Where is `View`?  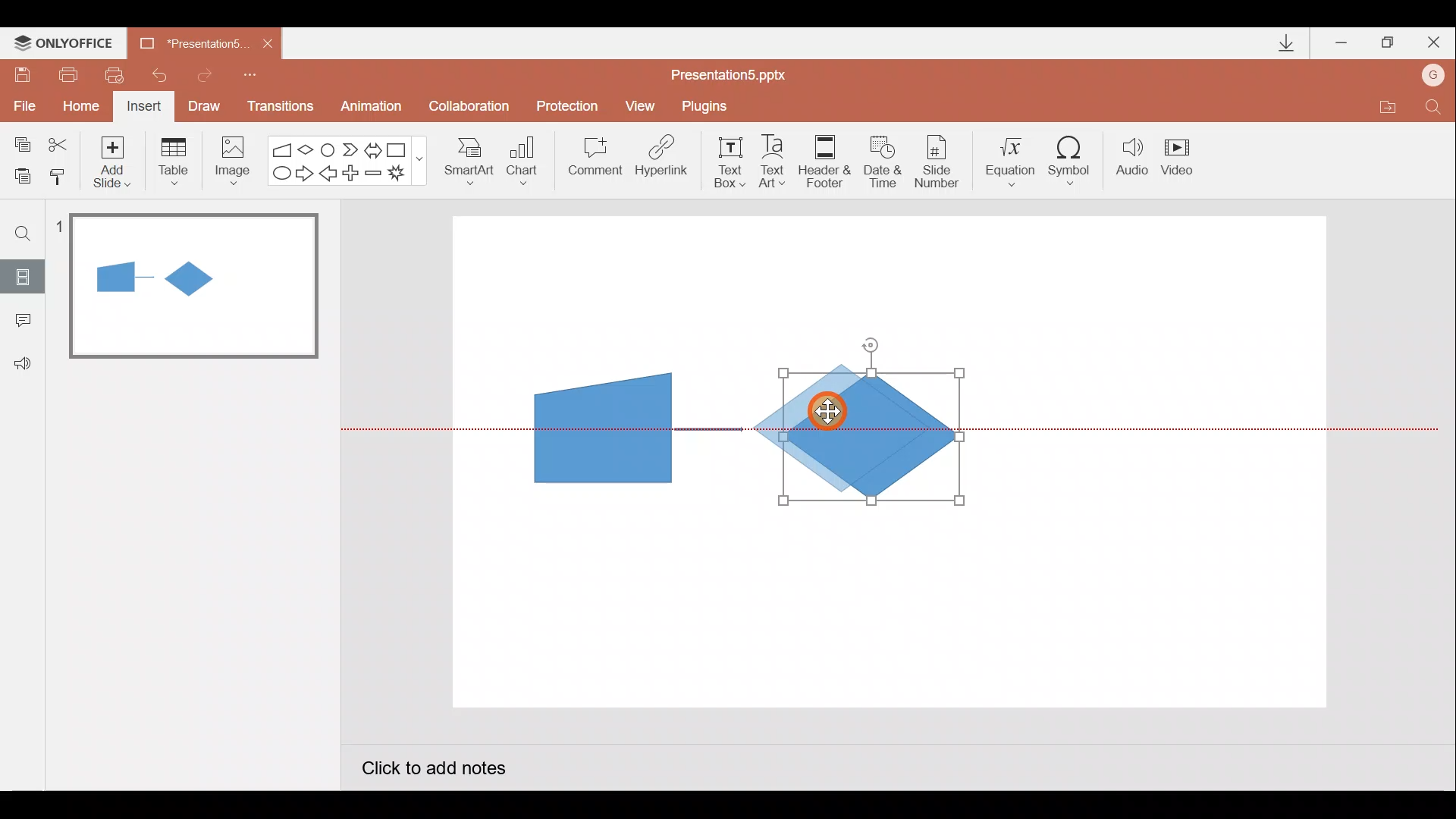
View is located at coordinates (642, 105).